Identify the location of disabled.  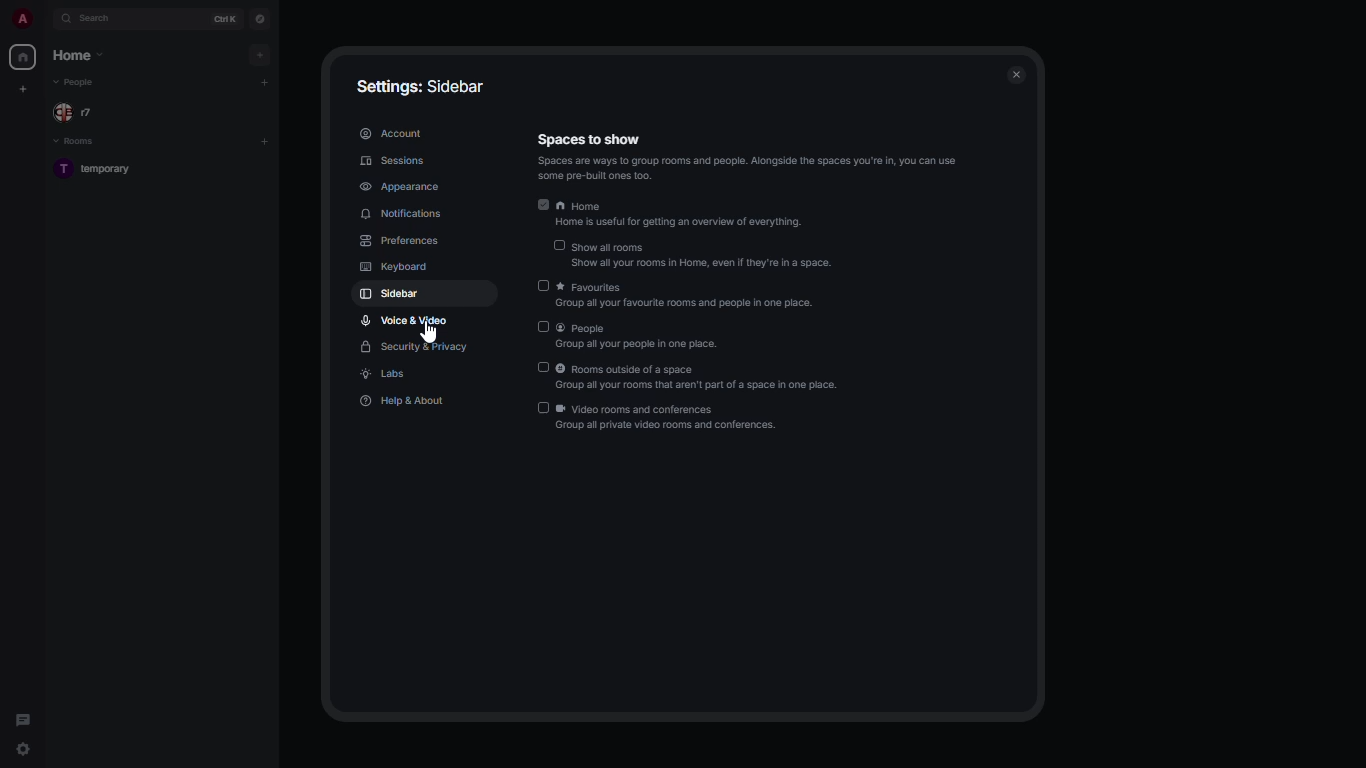
(543, 408).